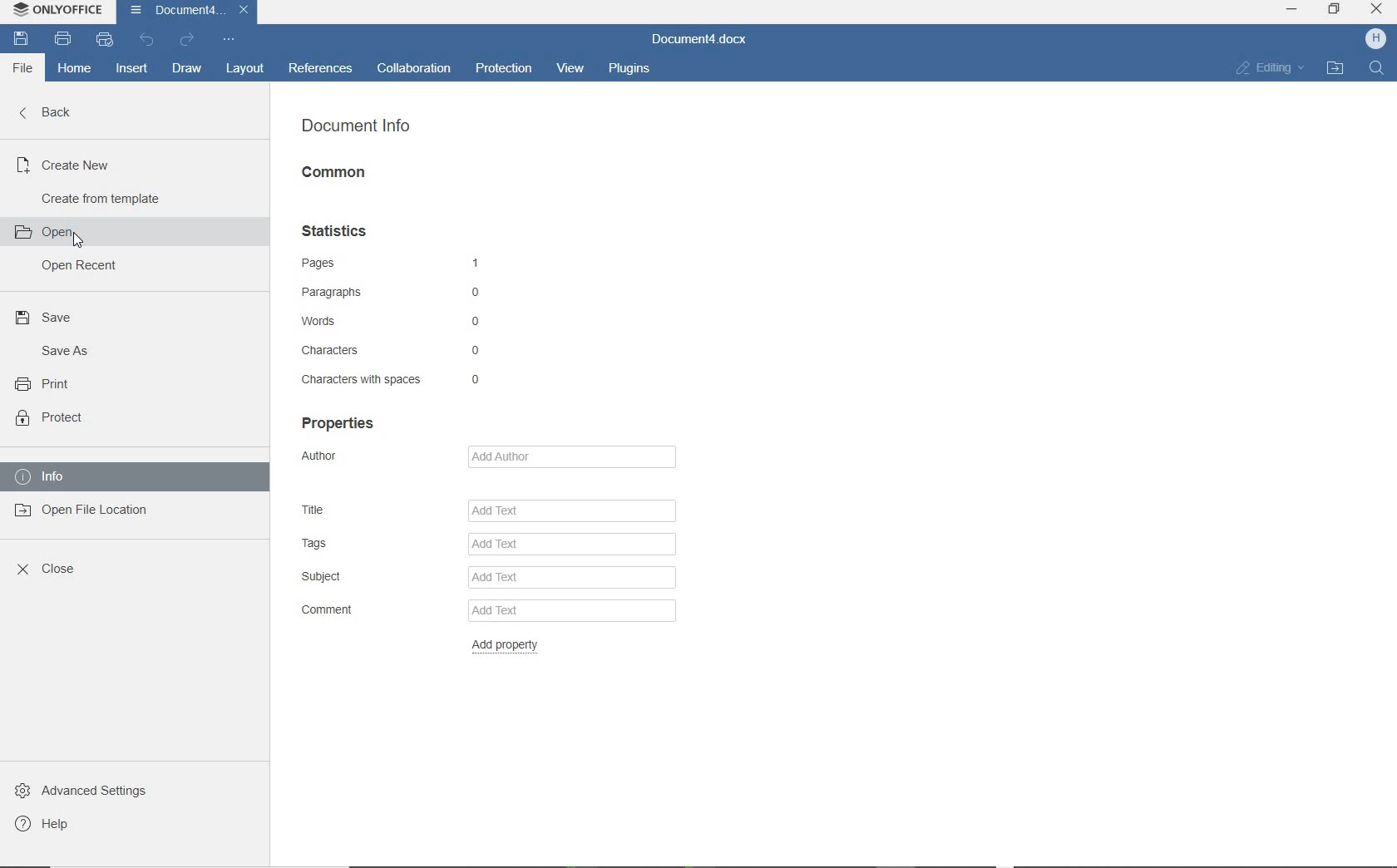  What do you see at coordinates (184, 12) in the screenshot?
I see `Document4(document name)` at bounding box center [184, 12].